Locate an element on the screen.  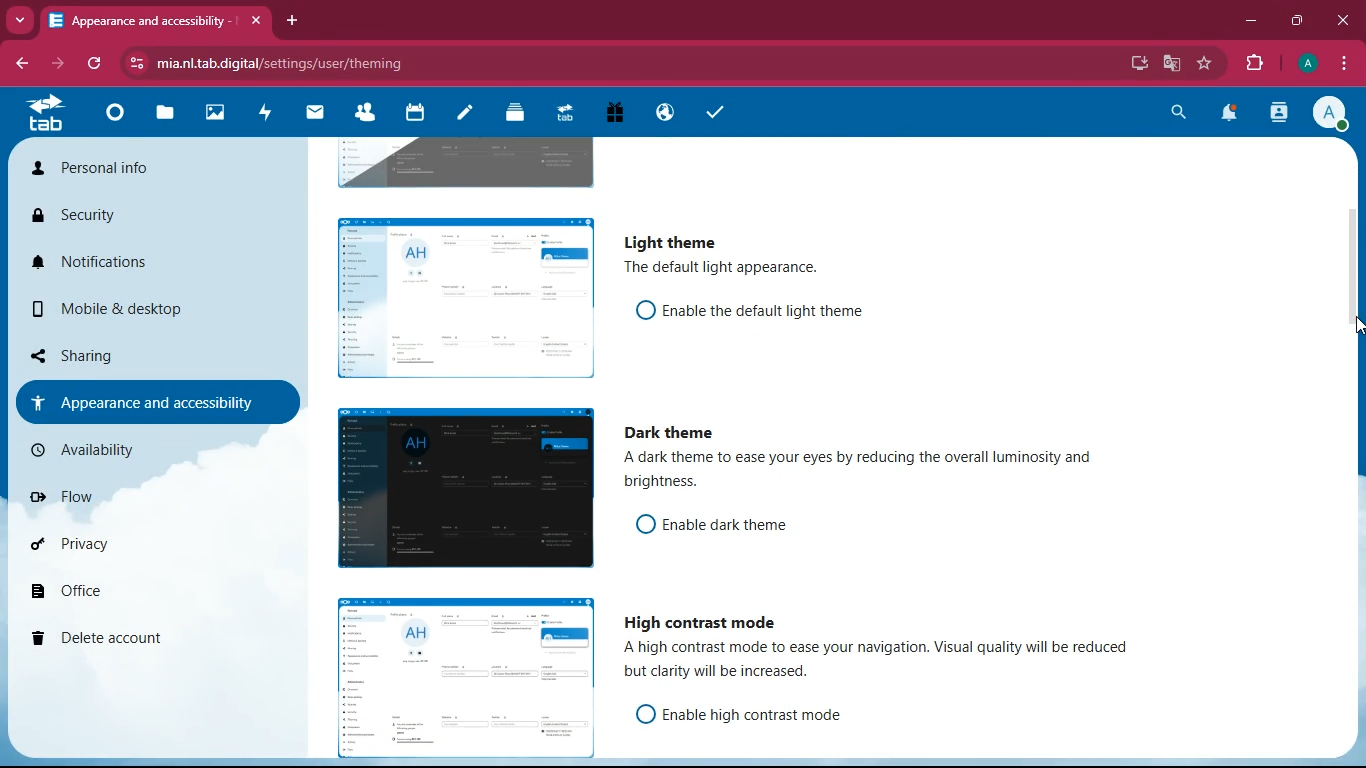
public is located at coordinates (662, 114).